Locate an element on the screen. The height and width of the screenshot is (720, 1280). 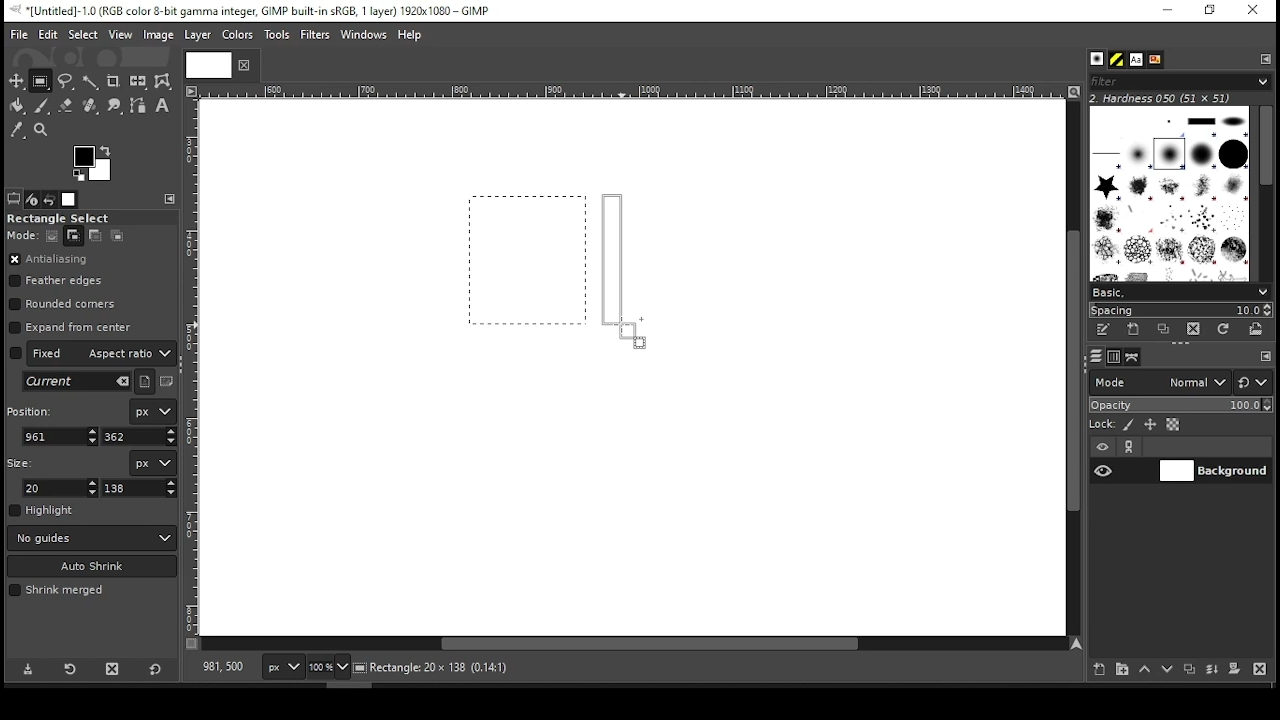
configure this tab is located at coordinates (1266, 358).